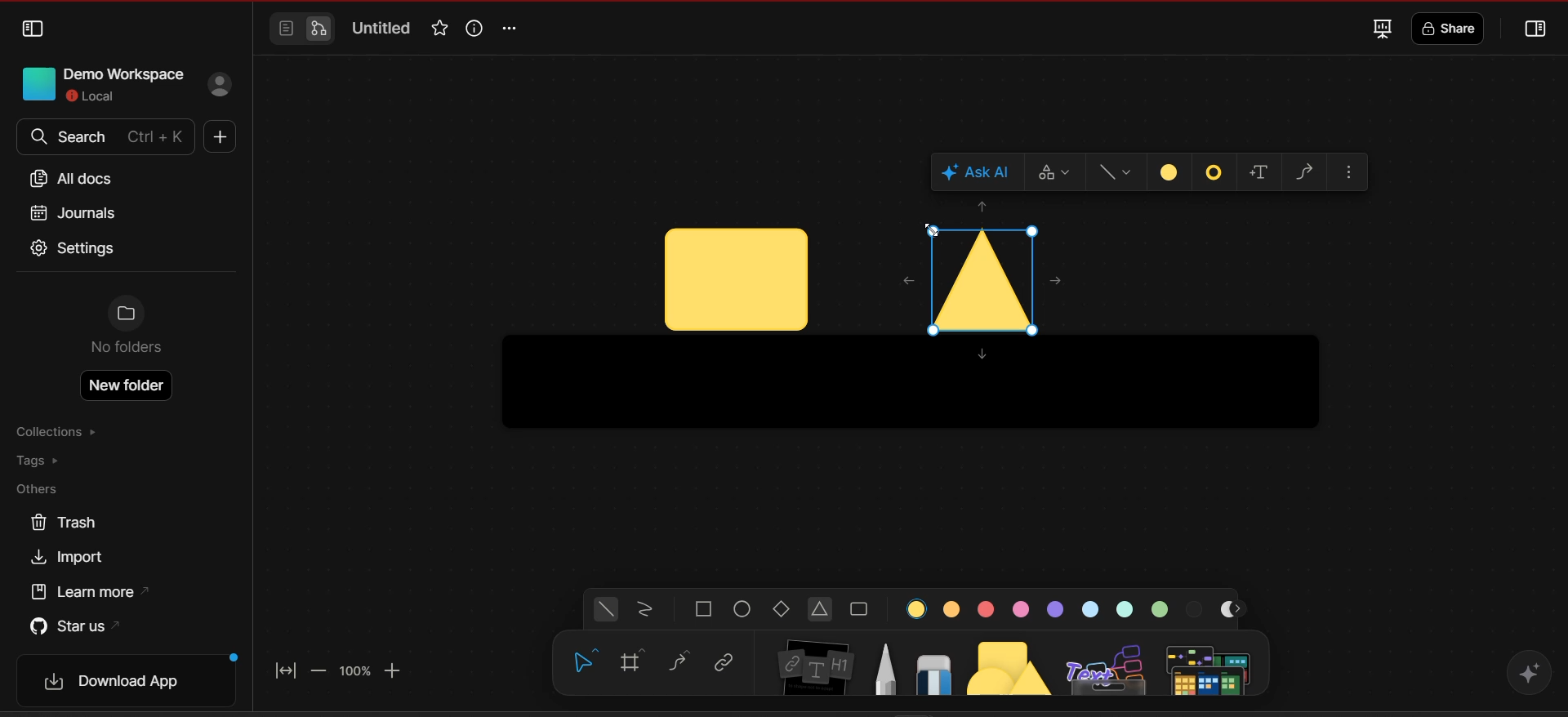 The image size is (1568, 717). I want to click on color 6, so click(1094, 608).